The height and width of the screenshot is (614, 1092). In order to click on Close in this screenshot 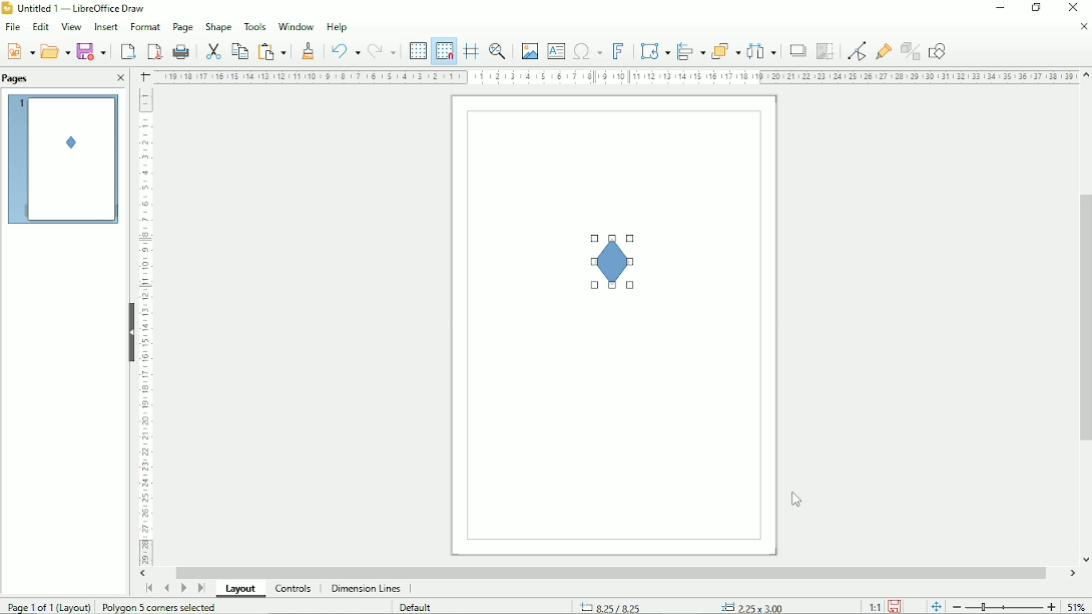, I will do `click(122, 79)`.